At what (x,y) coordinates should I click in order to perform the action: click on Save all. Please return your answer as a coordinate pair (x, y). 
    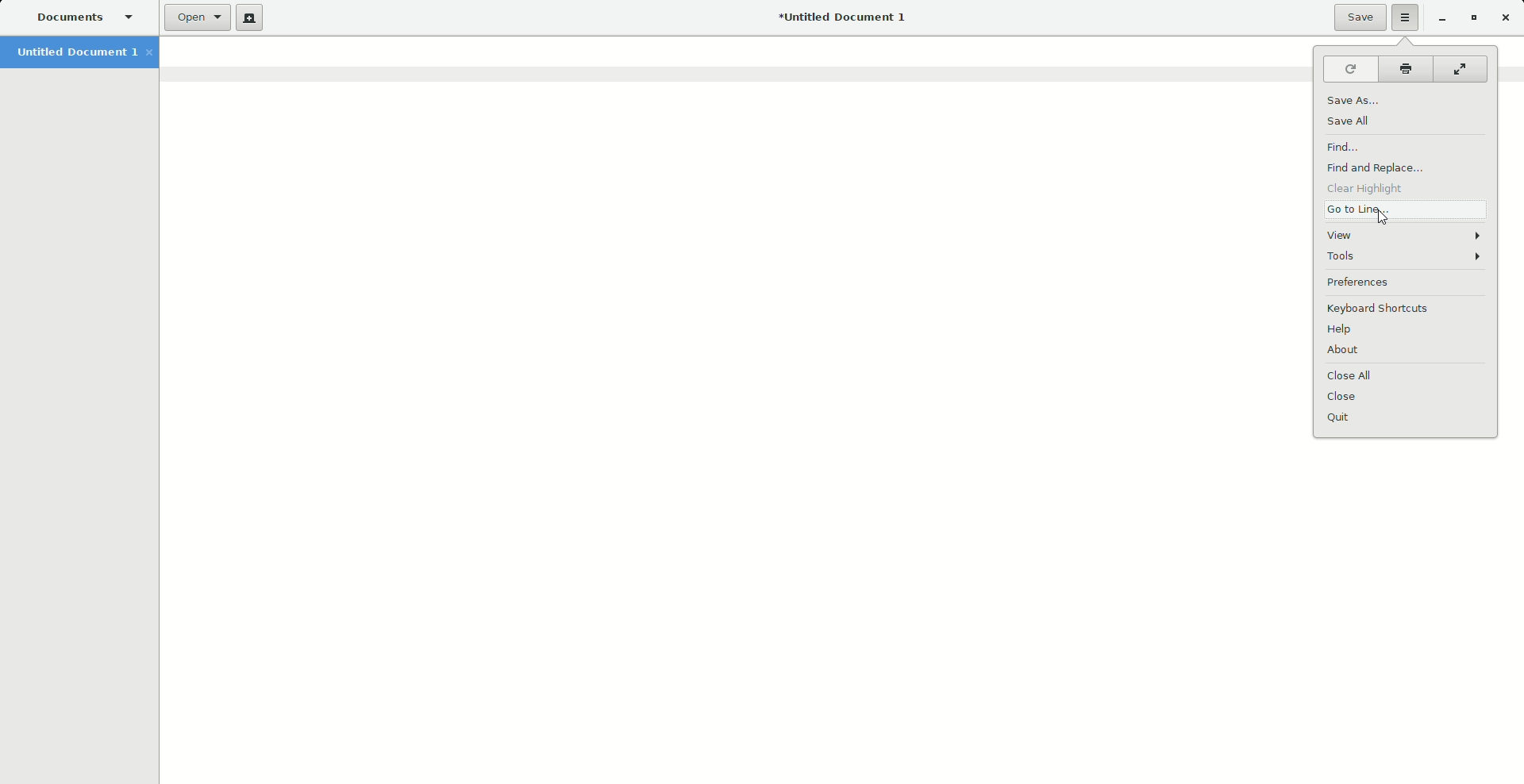
    Looking at the image, I should click on (1360, 121).